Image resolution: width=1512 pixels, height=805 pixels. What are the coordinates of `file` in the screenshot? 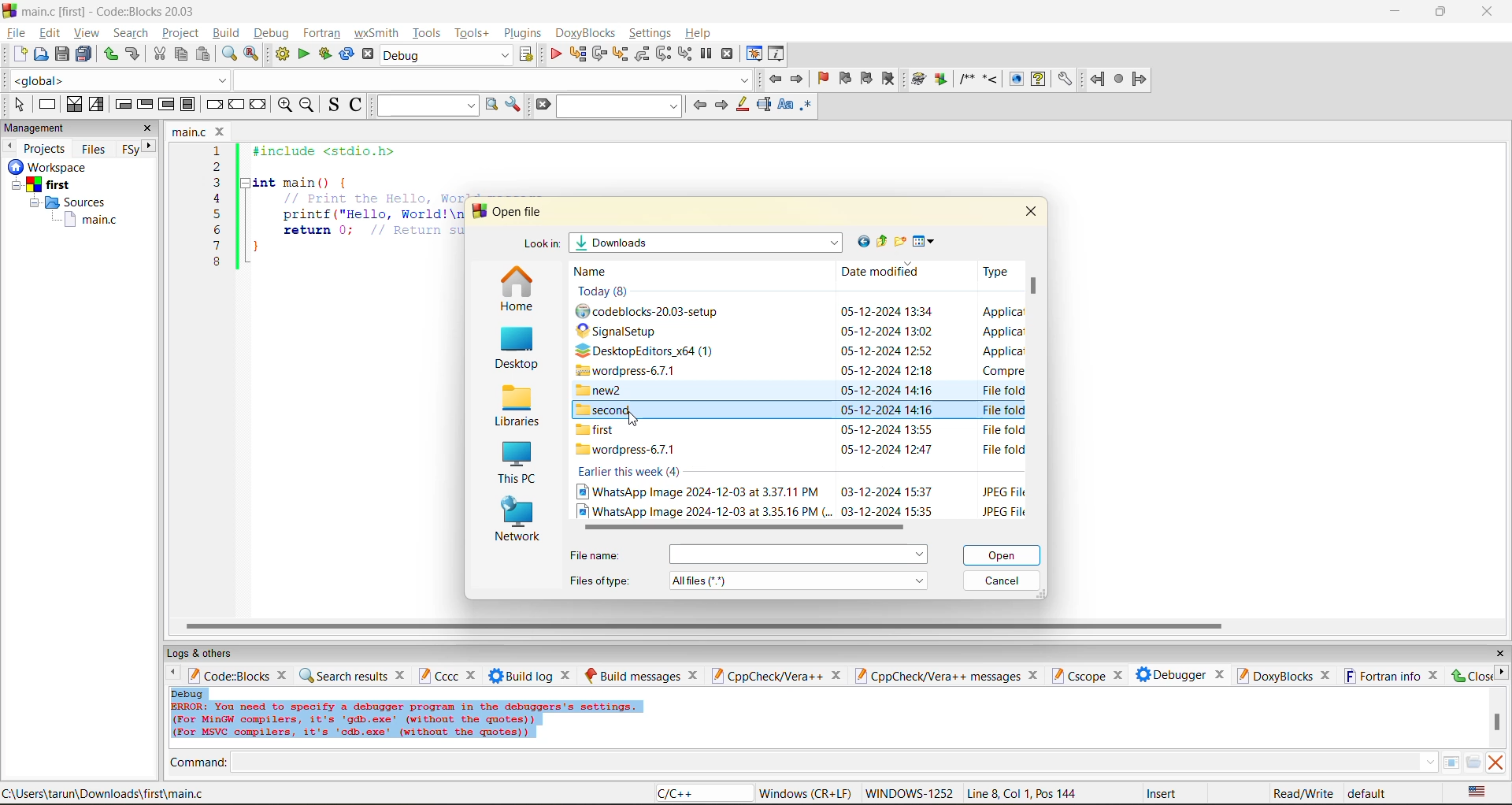 It's located at (15, 31).